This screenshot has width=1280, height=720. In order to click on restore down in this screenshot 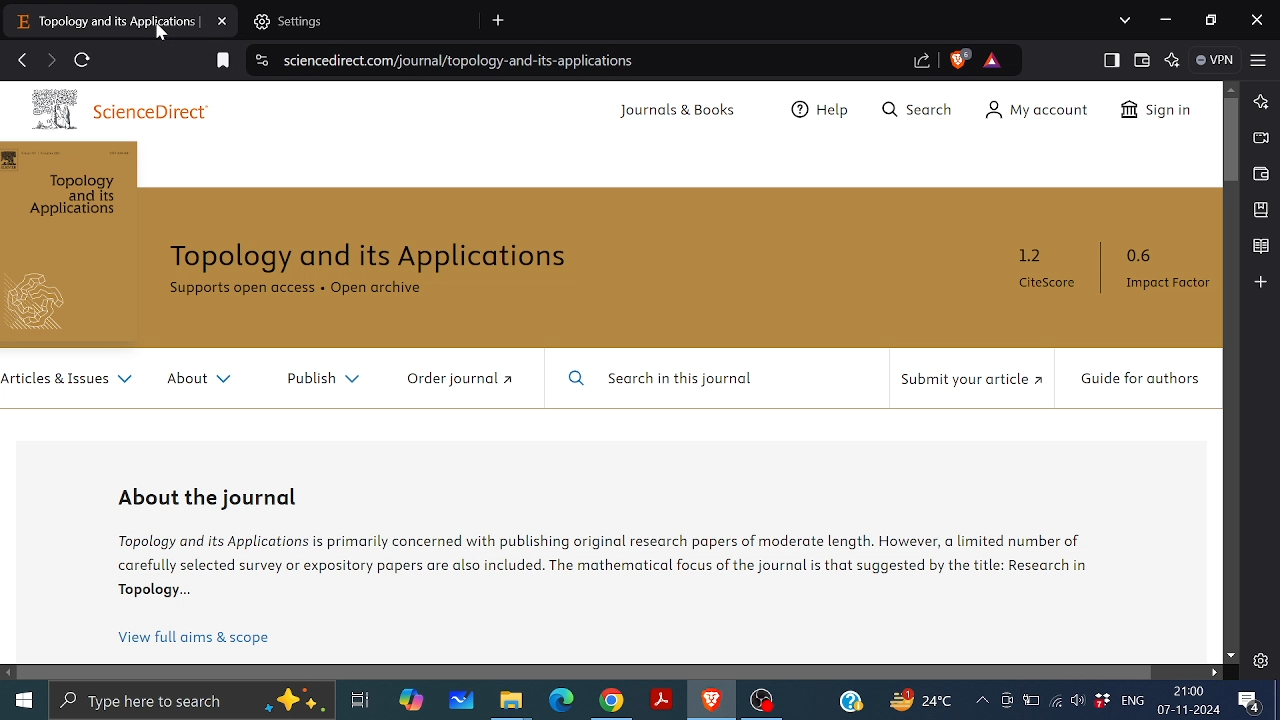, I will do `click(1210, 19)`.